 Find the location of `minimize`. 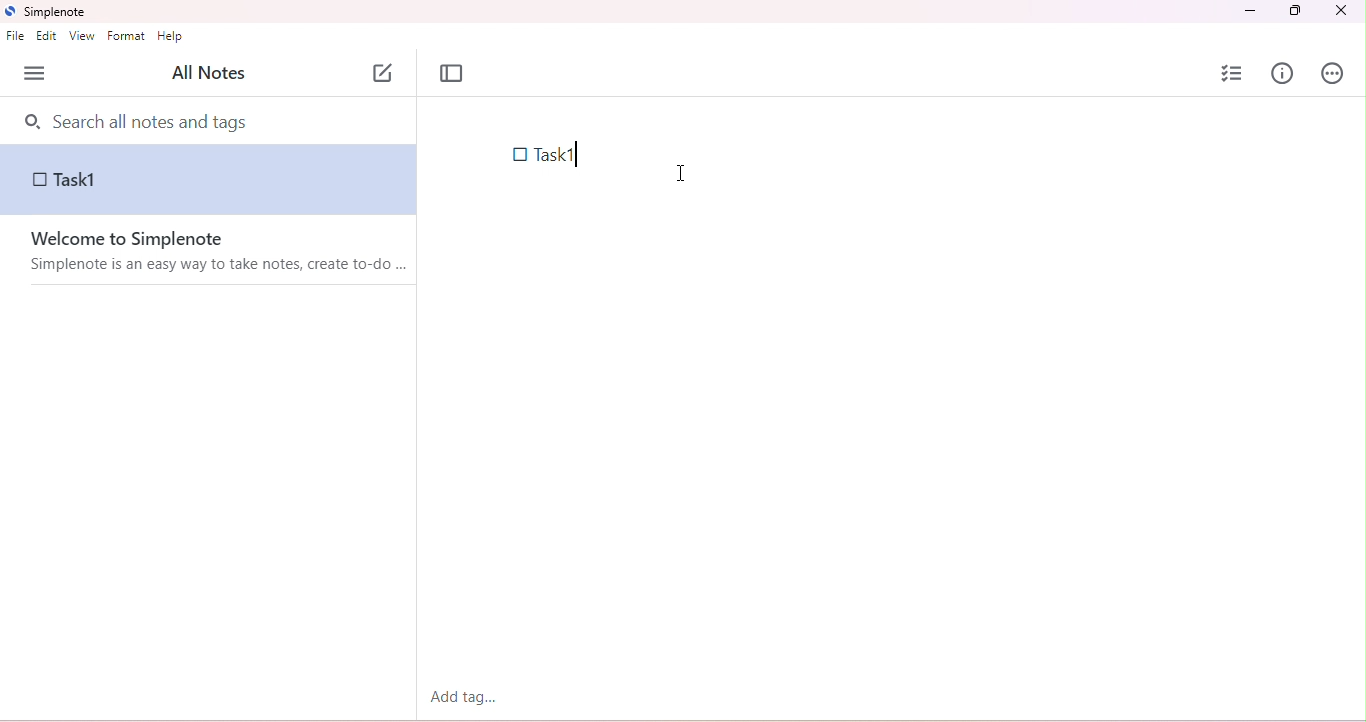

minimize is located at coordinates (1252, 11).